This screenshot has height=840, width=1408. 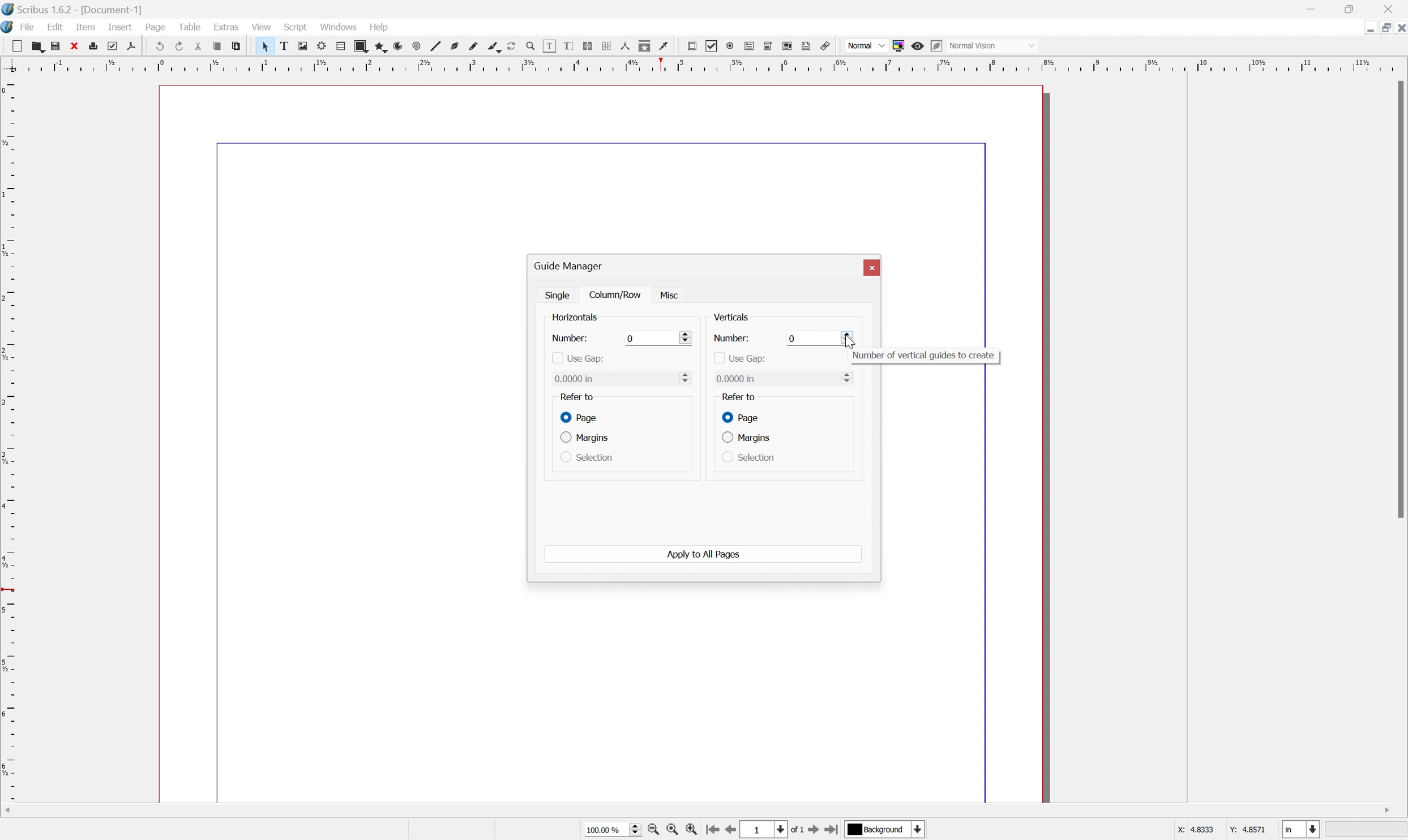 I want to click on pdf radio button, so click(x=731, y=45).